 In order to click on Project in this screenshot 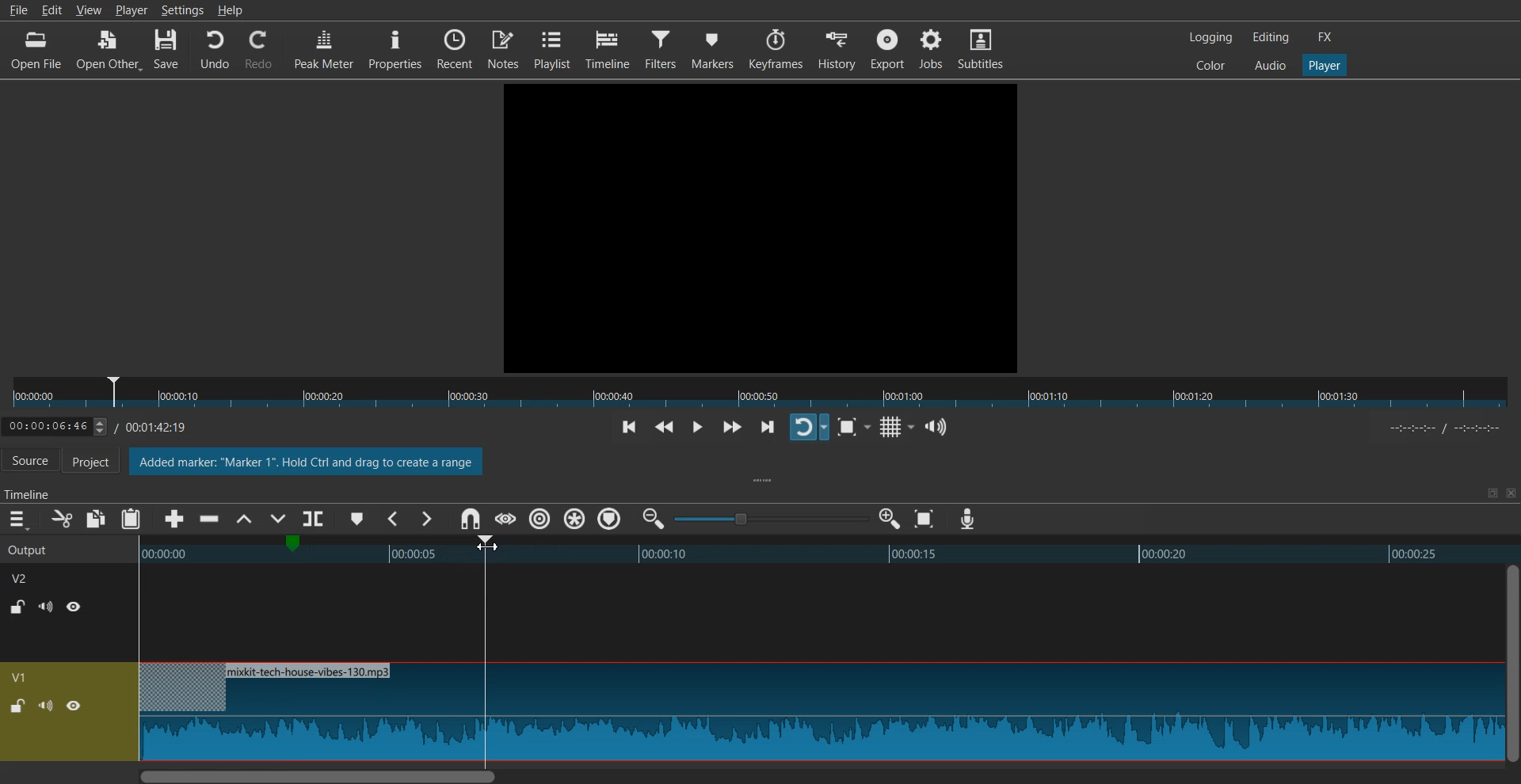, I will do `click(99, 462)`.